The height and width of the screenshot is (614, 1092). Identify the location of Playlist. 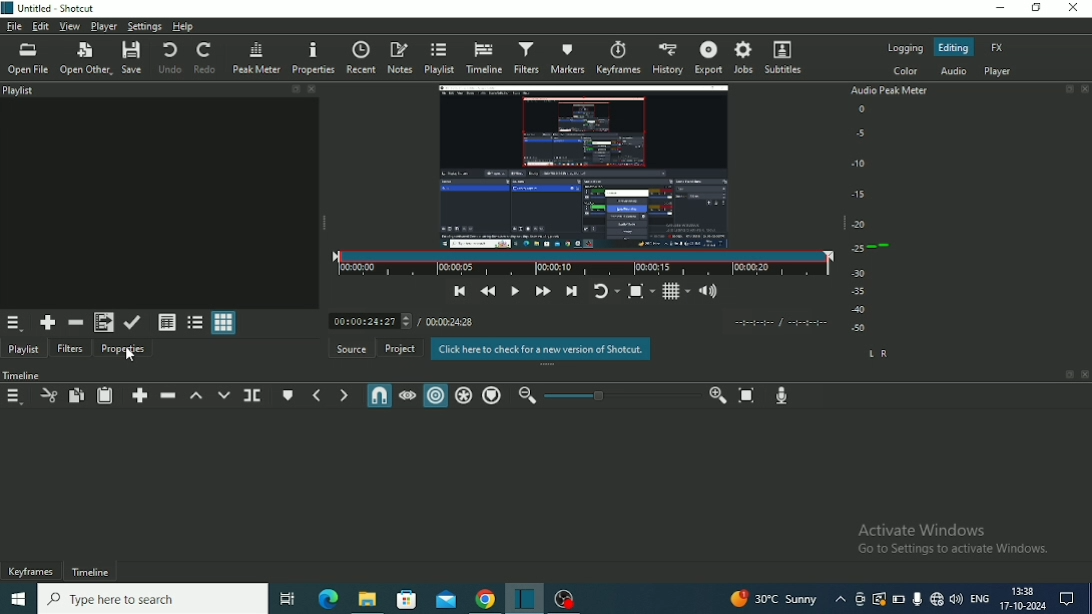
(23, 350).